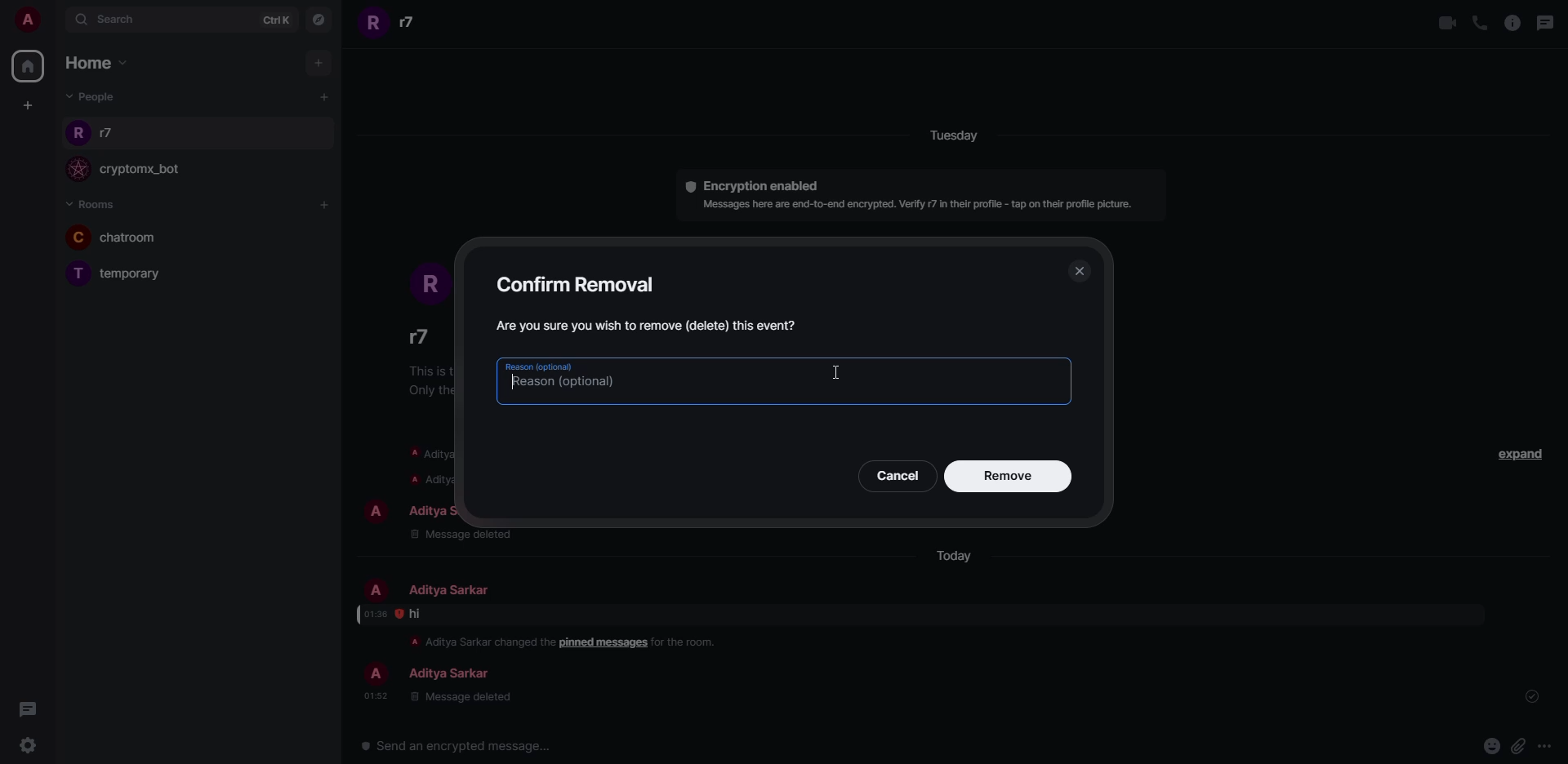 This screenshot has height=764, width=1568. What do you see at coordinates (845, 373) in the screenshot?
I see `text cursor` at bounding box center [845, 373].